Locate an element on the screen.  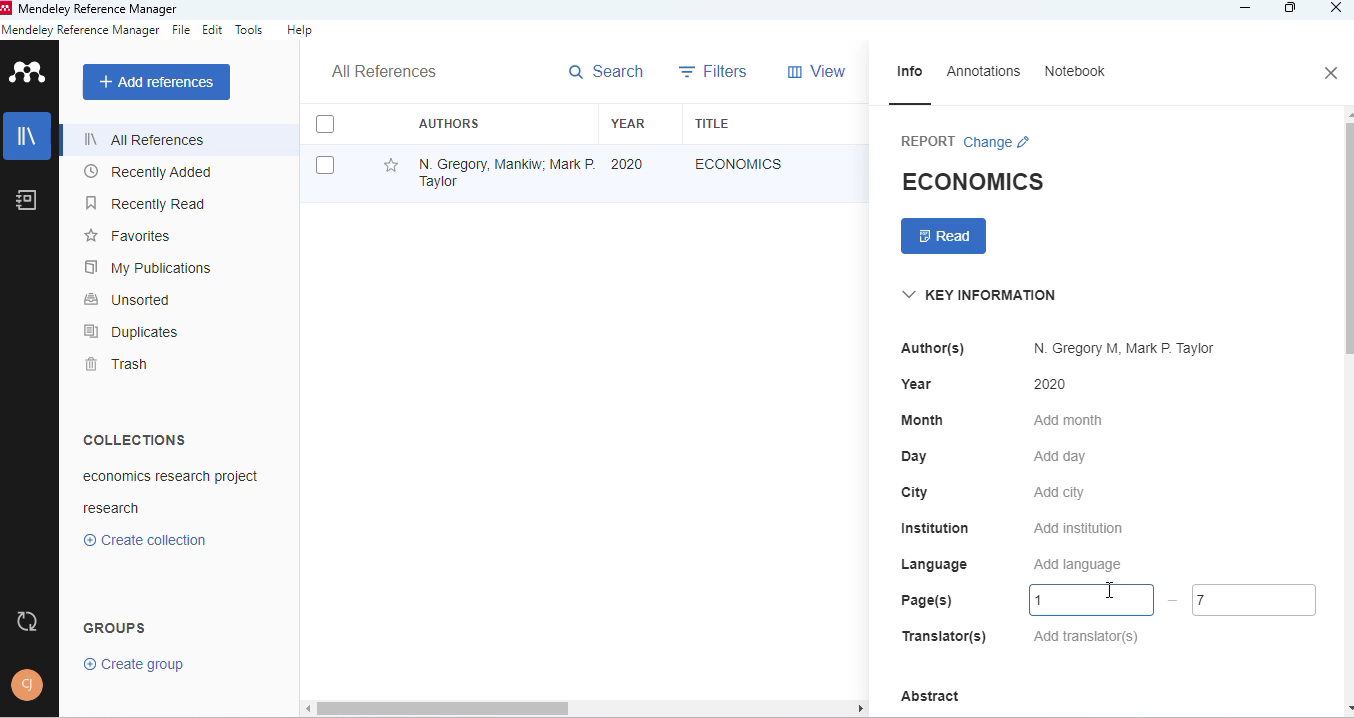
info is located at coordinates (909, 72).